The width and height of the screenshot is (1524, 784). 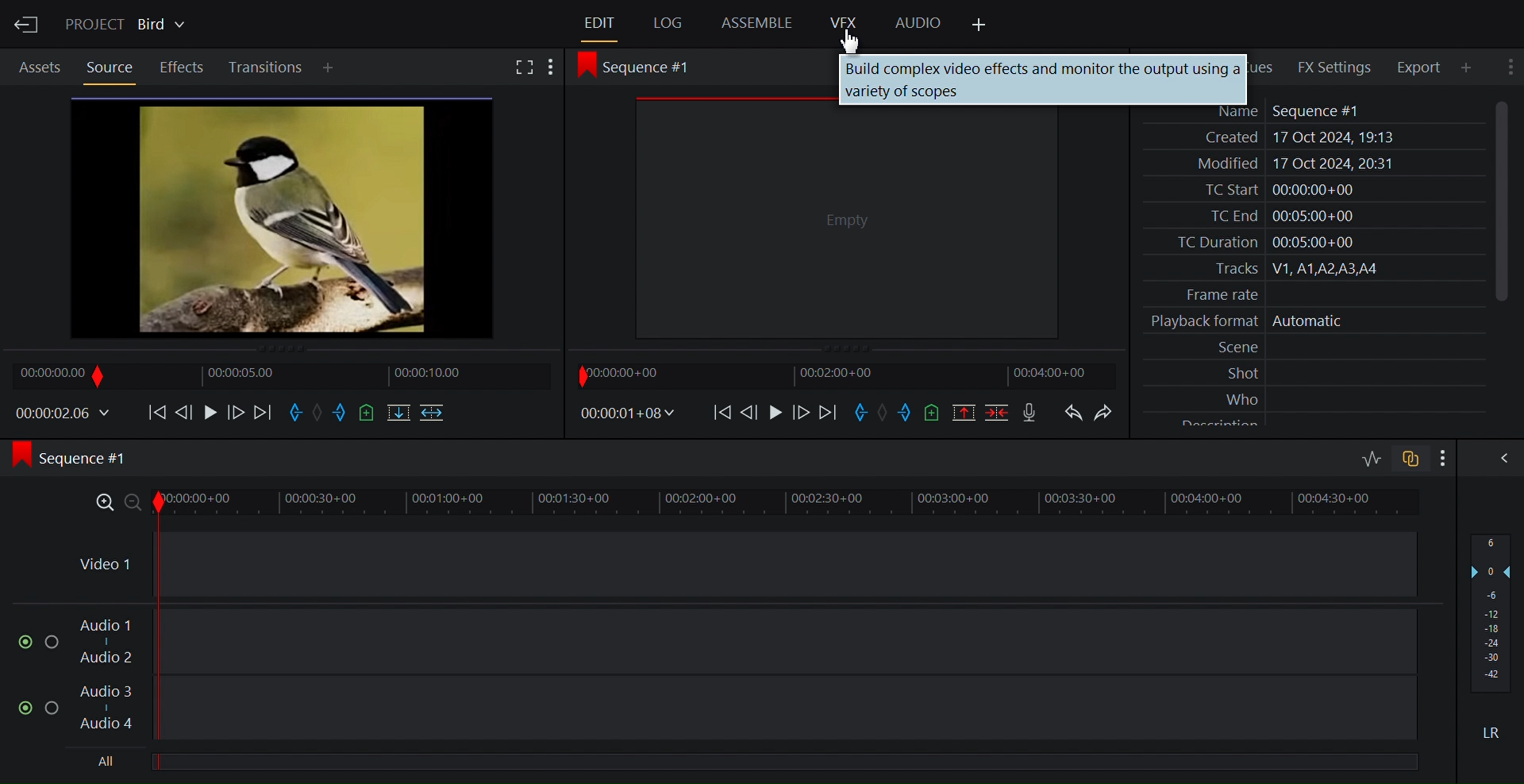 I want to click on Timeline, so click(x=841, y=372).